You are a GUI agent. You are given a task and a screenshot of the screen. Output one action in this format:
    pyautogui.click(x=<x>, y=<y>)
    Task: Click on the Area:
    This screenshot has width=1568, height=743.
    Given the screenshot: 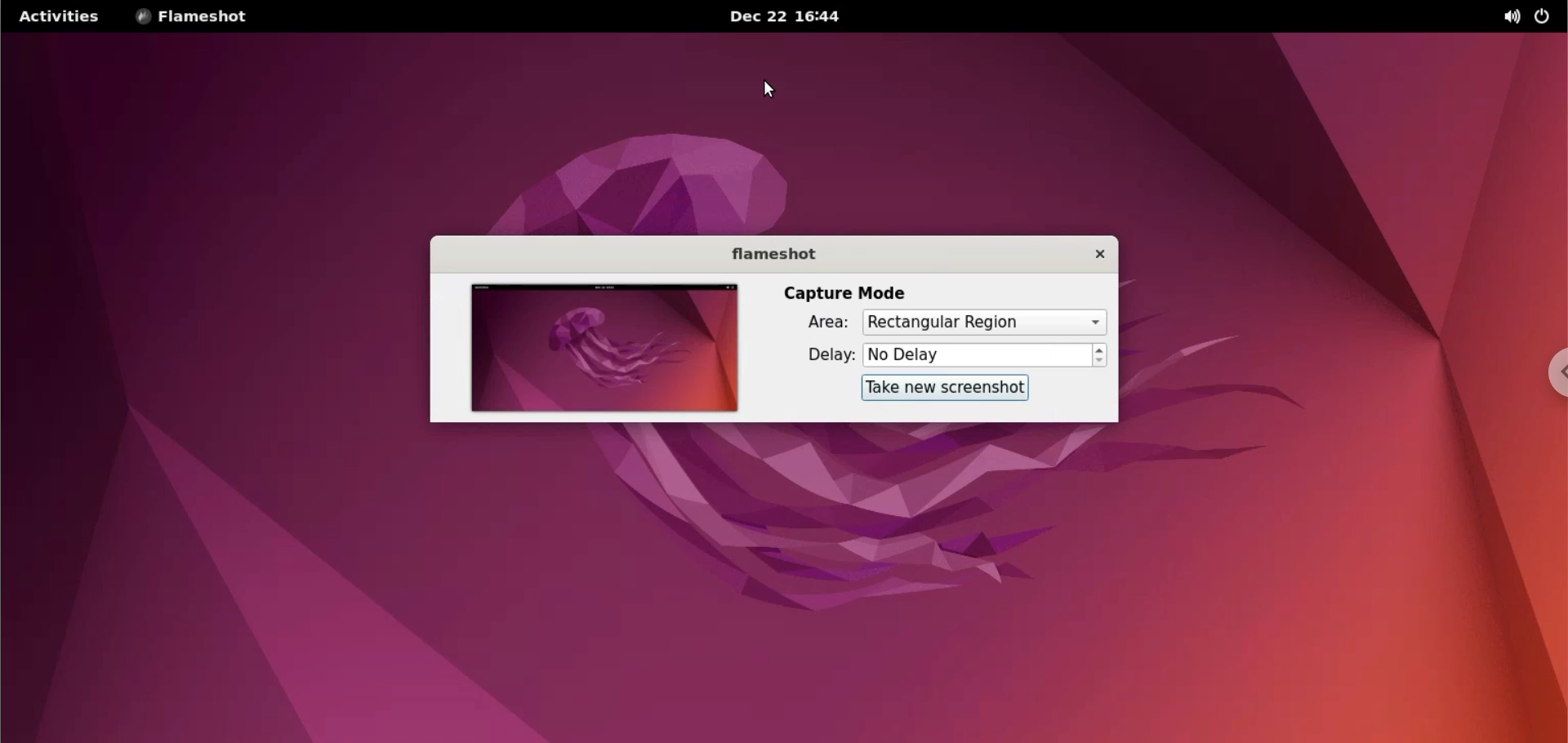 What is the action you would take?
    pyautogui.click(x=817, y=323)
    